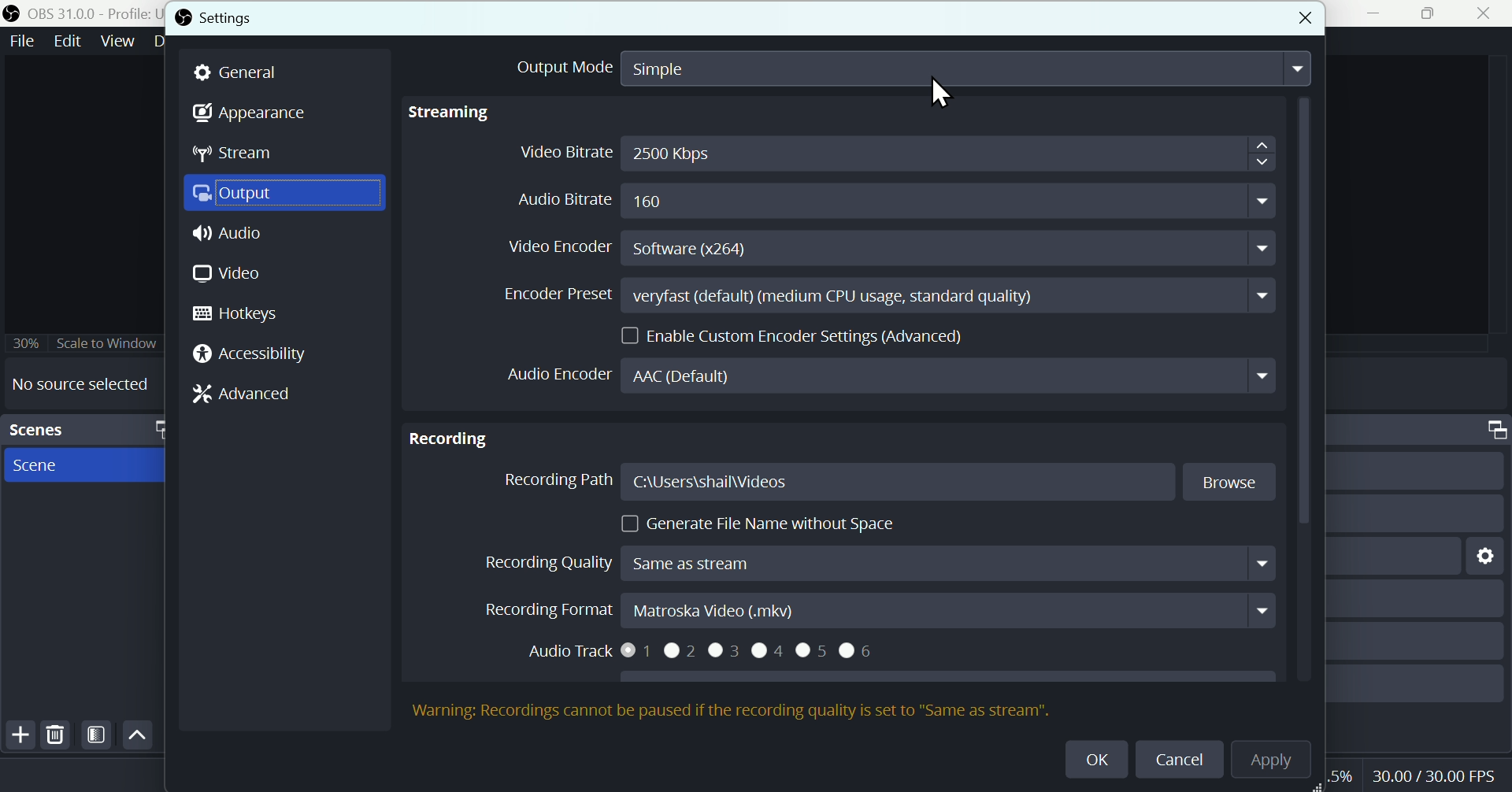  I want to click on cursor on simple, so click(943, 94).